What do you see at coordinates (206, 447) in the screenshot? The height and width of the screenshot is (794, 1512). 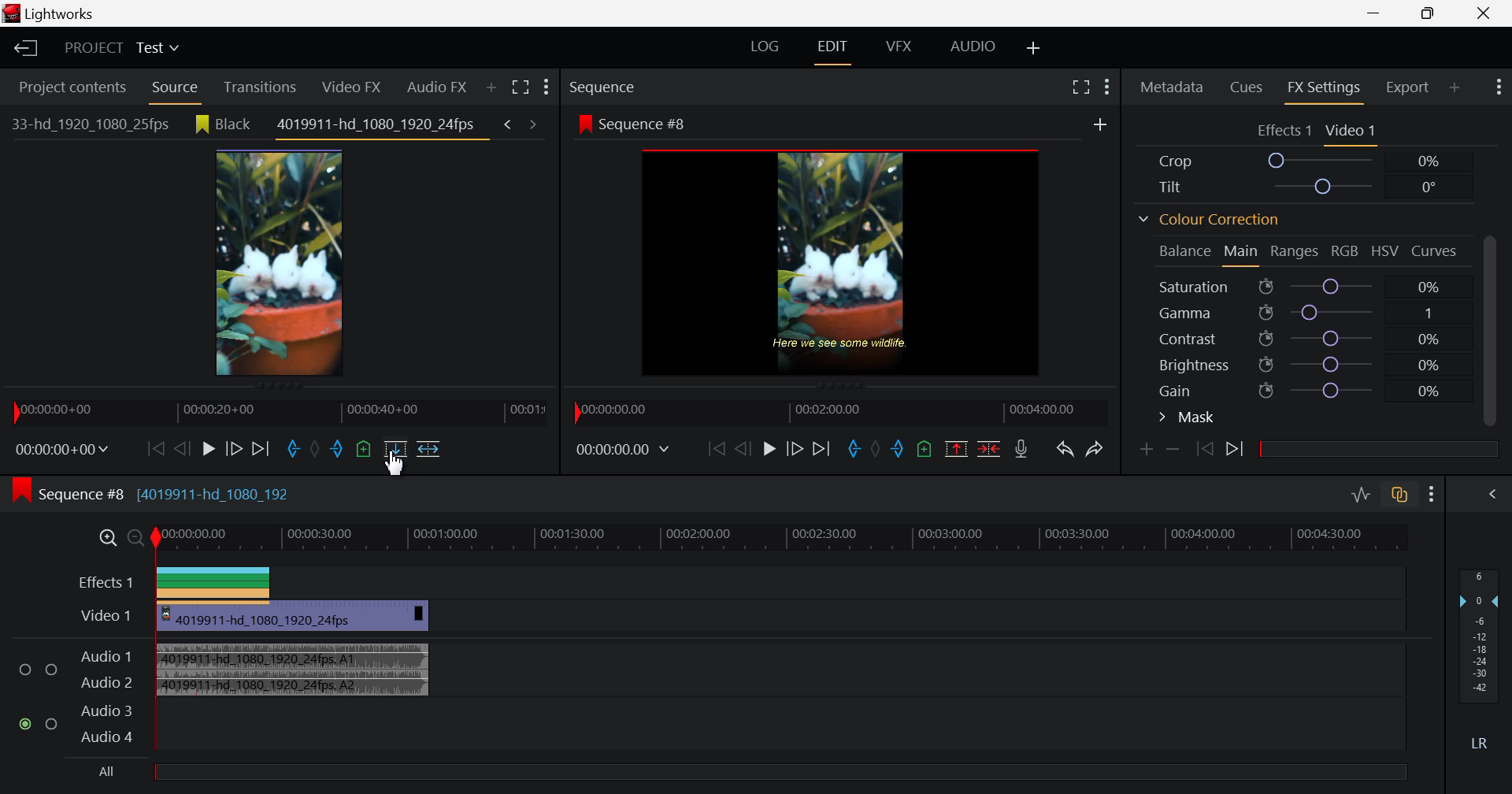 I see `Play` at bounding box center [206, 447].